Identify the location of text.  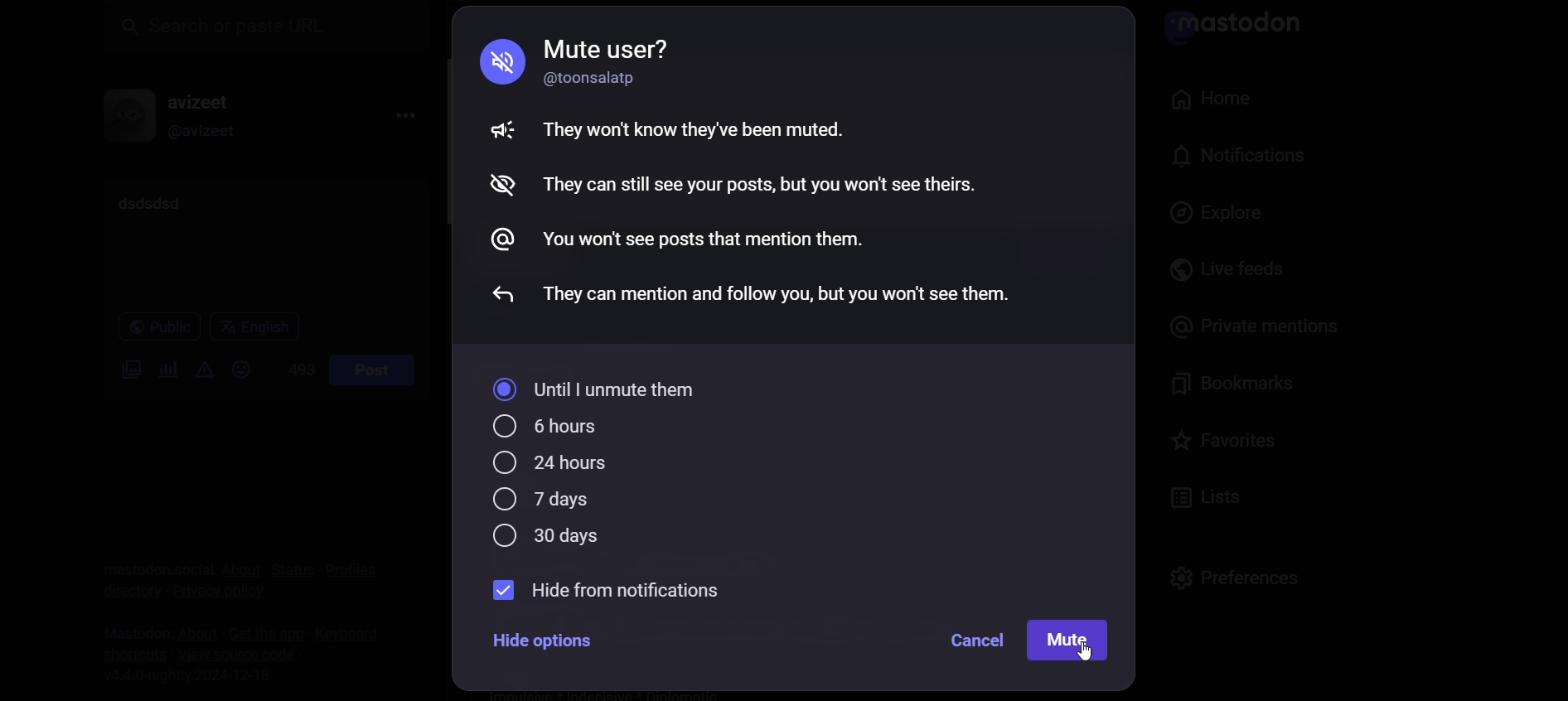
(150, 559).